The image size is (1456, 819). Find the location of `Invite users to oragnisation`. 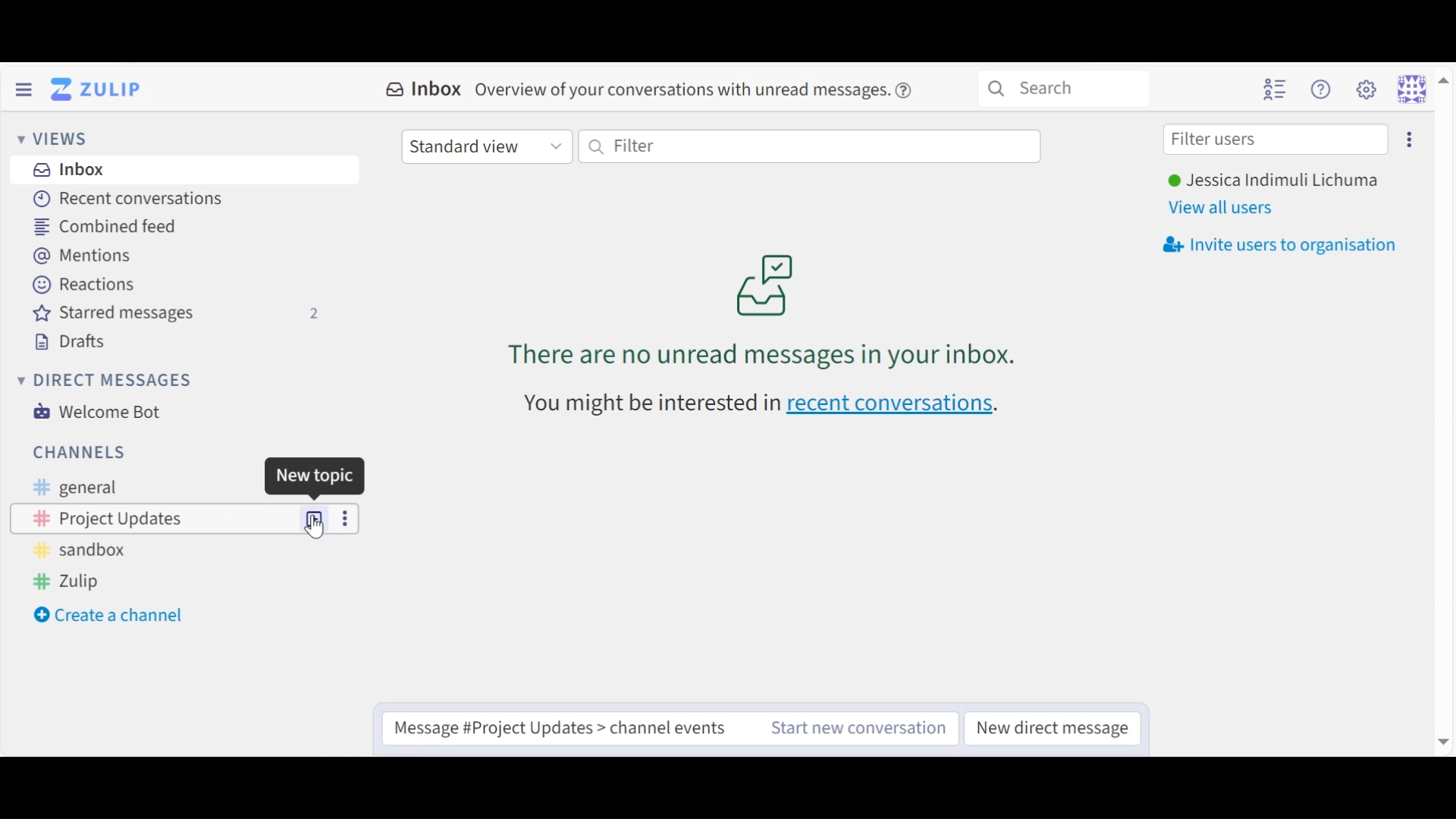

Invite users to oragnisation is located at coordinates (1287, 245).